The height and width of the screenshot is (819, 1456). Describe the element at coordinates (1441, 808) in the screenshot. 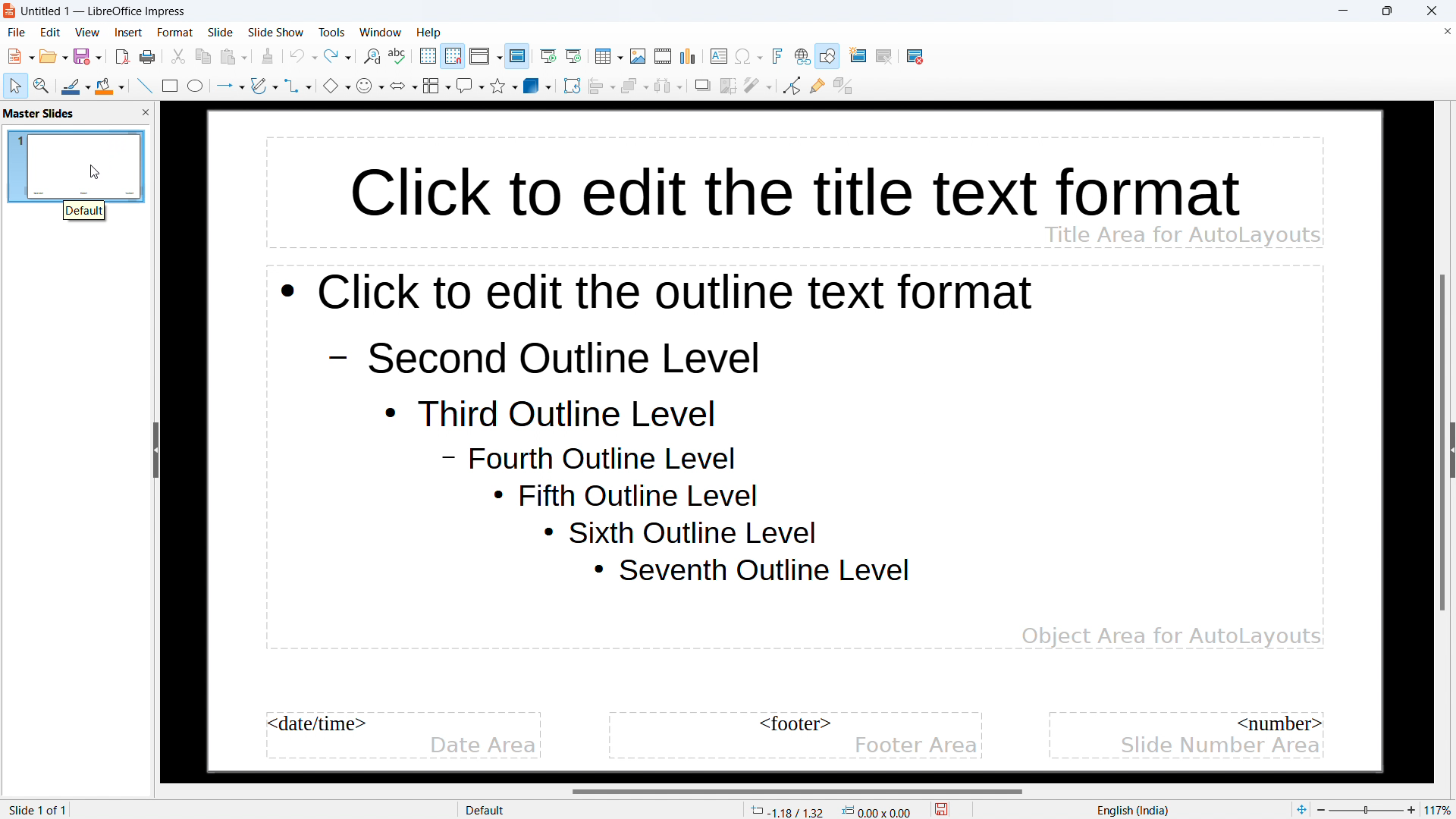

I see `zoom factor` at that location.